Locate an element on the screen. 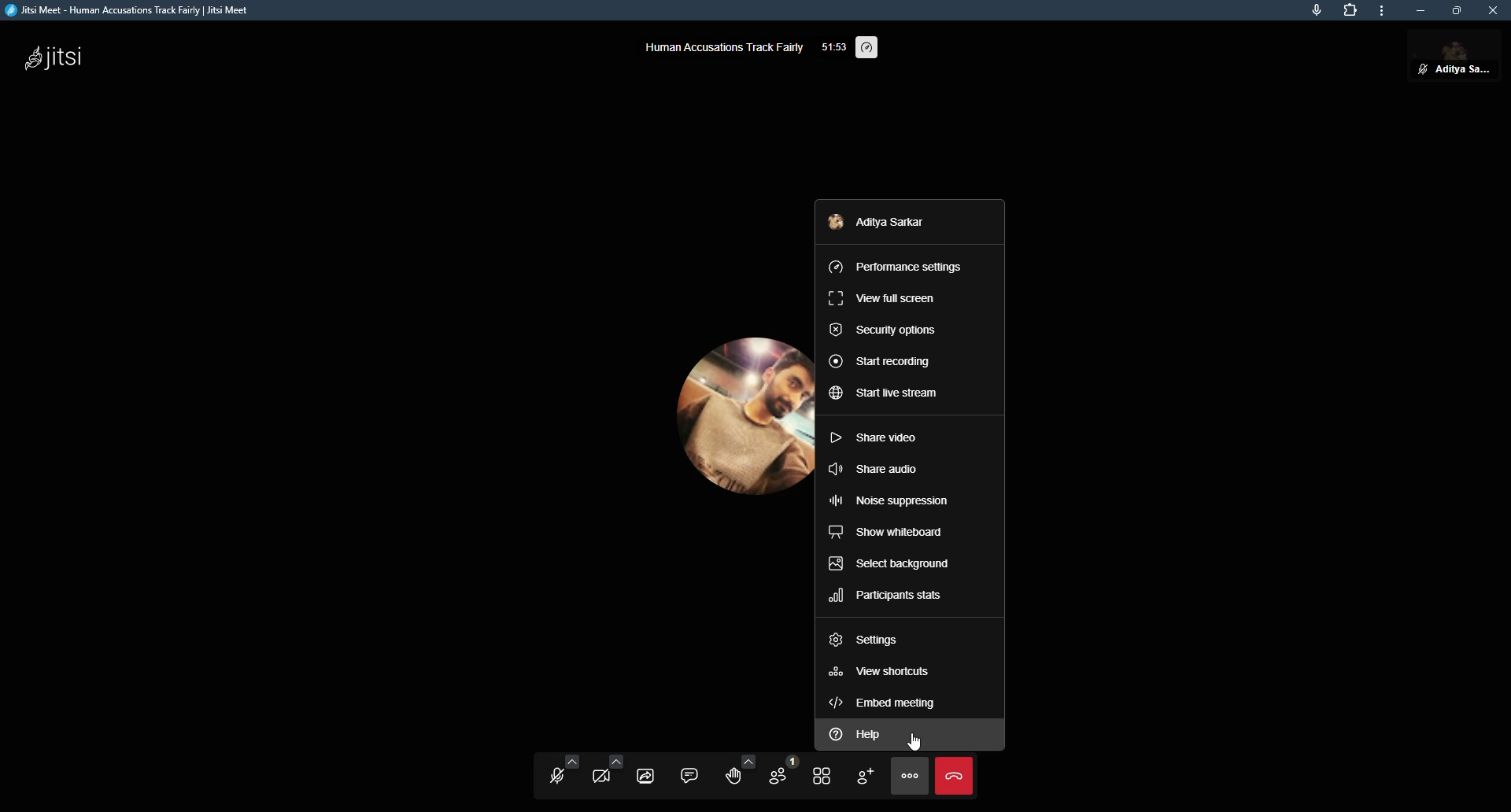 This screenshot has height=812, width=1511. view shortcuts is located at coordinates (876, 671).